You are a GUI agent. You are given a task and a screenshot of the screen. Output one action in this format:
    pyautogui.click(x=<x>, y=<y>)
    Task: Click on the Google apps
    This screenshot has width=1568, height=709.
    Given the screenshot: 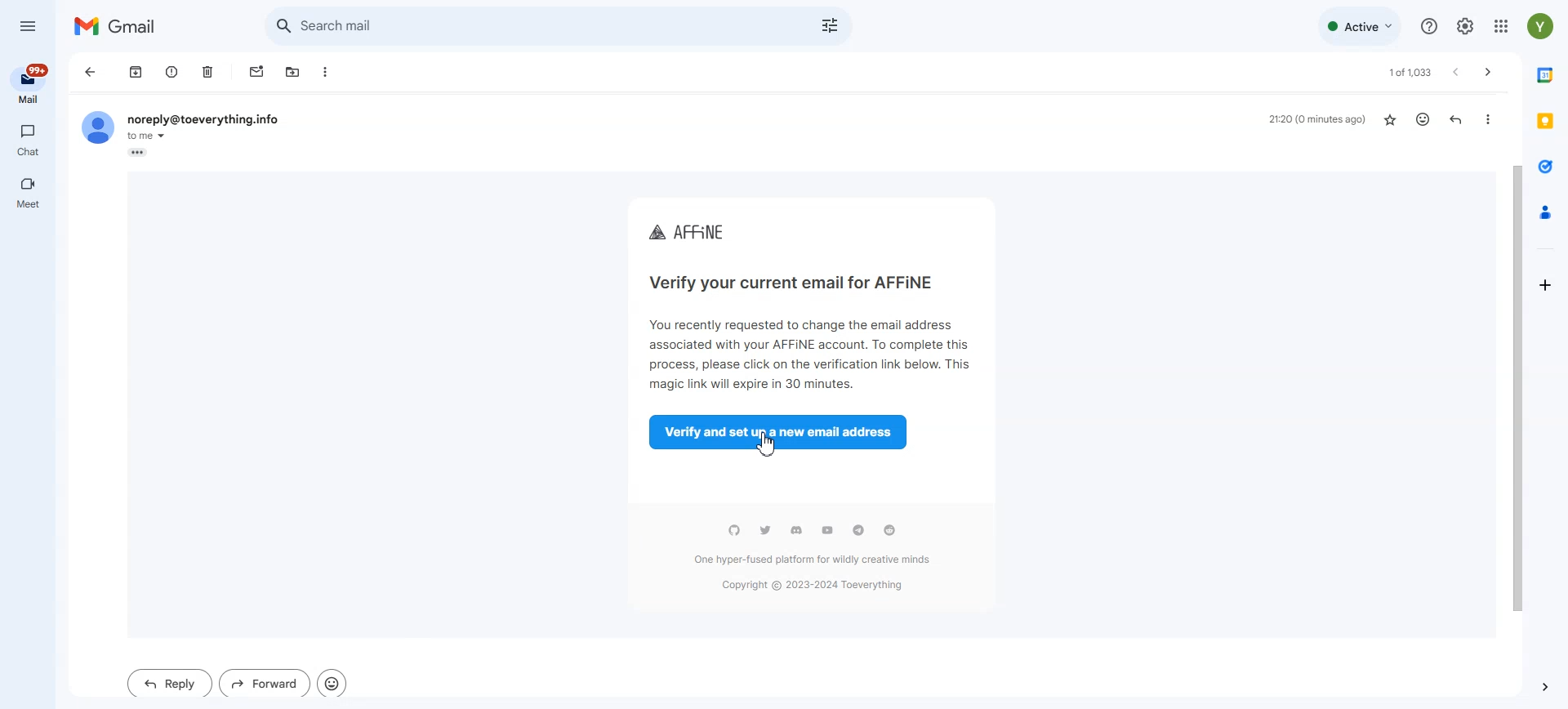 What is the action you would take?
    pyautogui.click(x=1500, y=26)
    